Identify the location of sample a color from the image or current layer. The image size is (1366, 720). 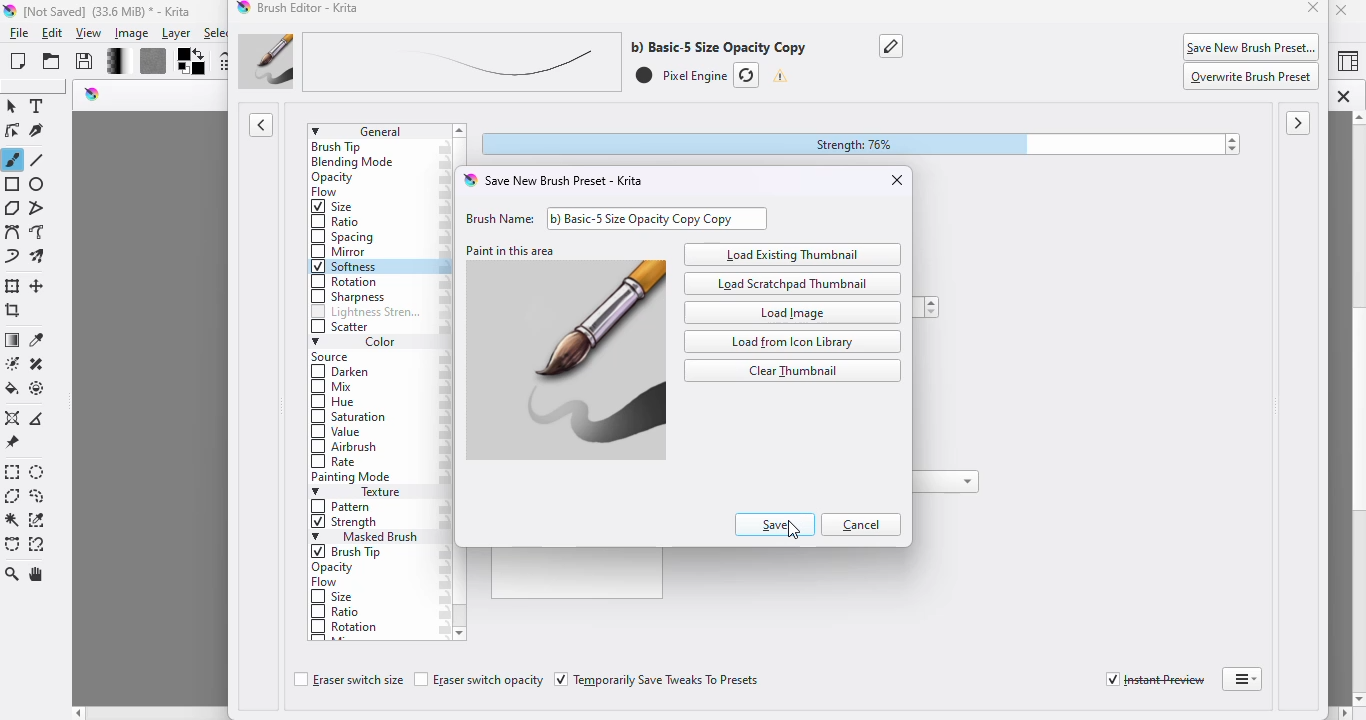
(37, 339).